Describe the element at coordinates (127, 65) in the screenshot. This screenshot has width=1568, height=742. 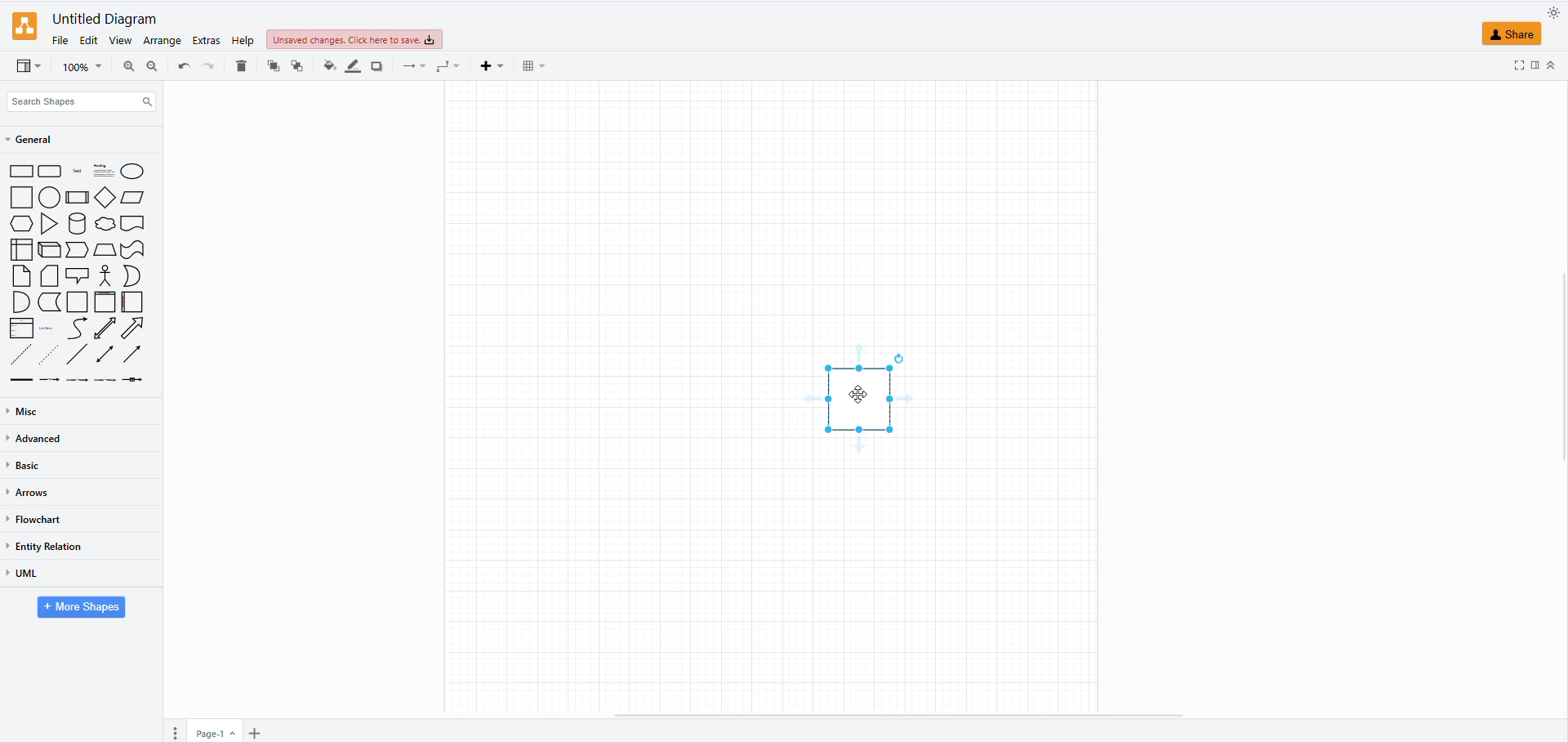
I see `zoom in ` at that location.